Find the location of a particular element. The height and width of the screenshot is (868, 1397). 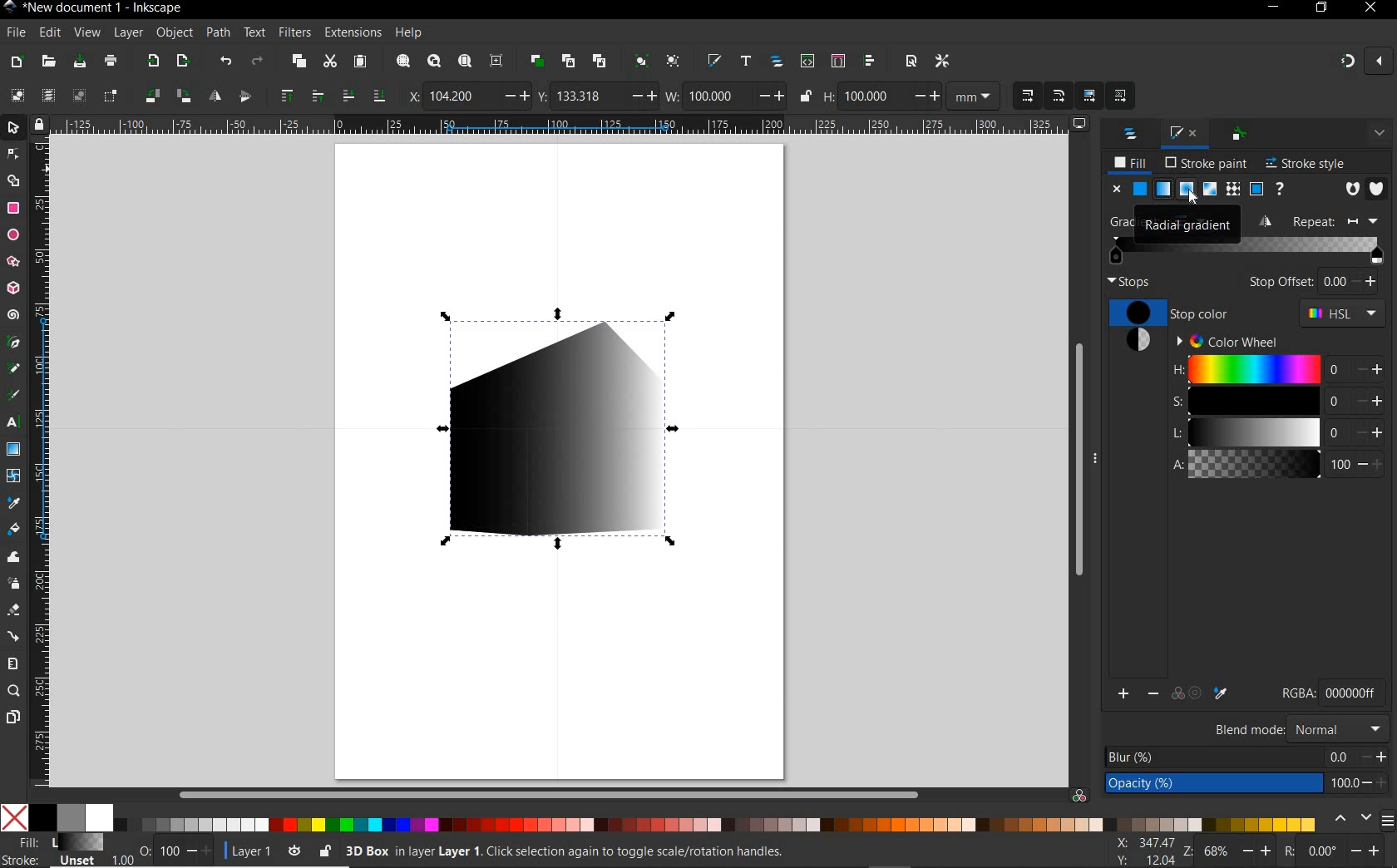

ZOOM CENTER PAGE is located at coordinates (497, 60).